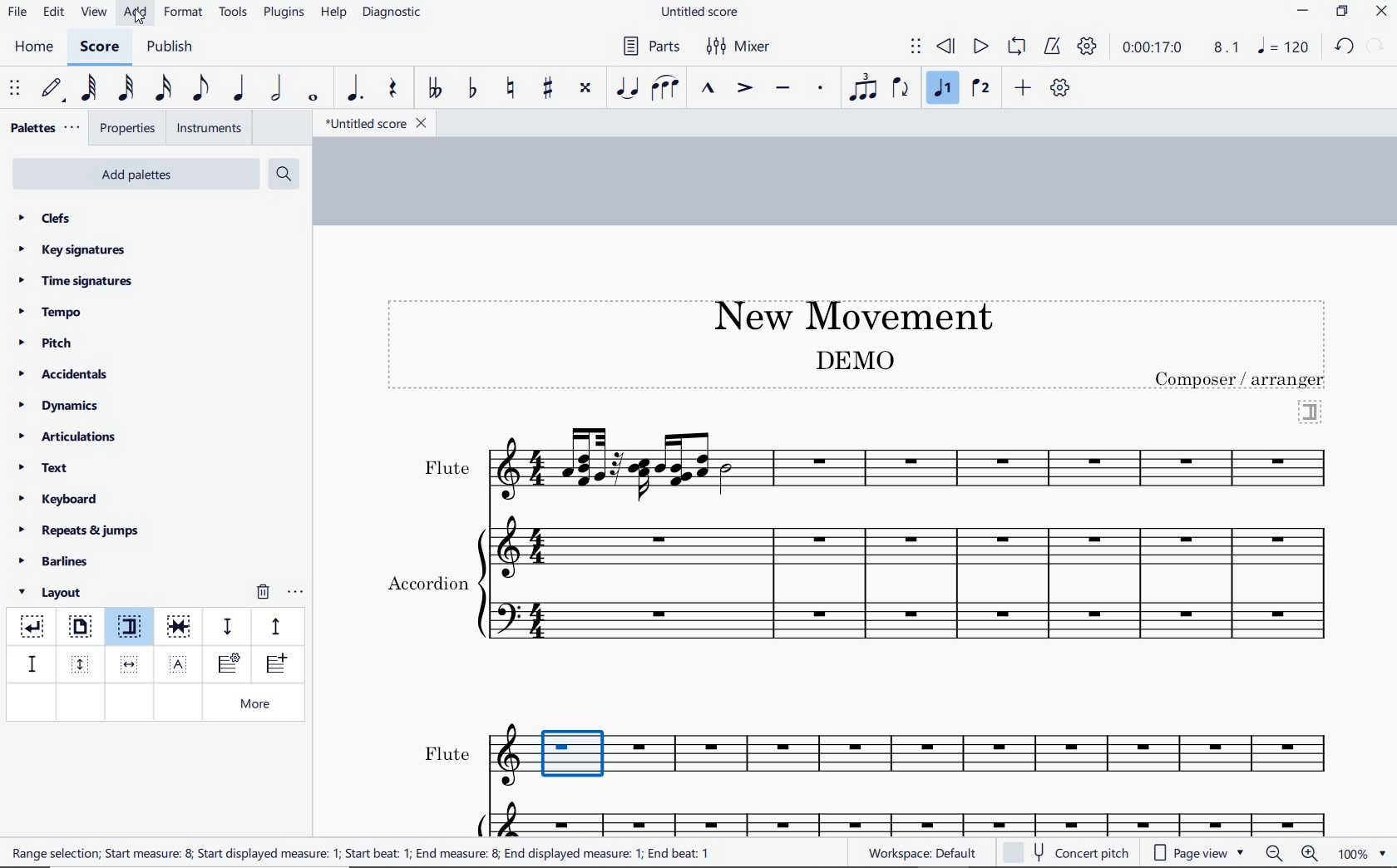 The height and width of the screenshot is (868, 1397). What do you see at coordinates (234, 12) in the screenshot?
I see `tools` at bounding box center [234, 12].